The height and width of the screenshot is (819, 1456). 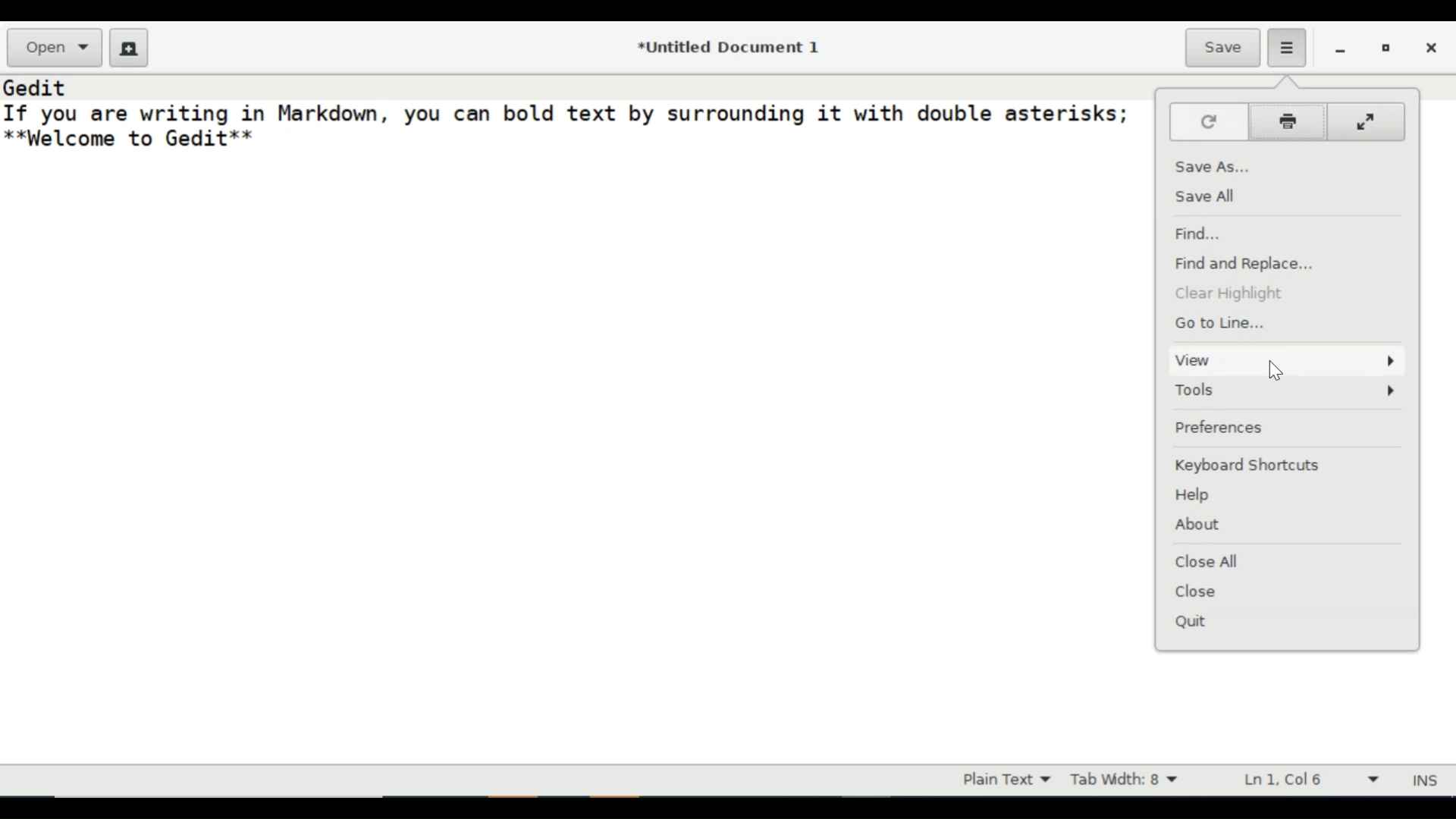 What do you see at coordinates (1204, 622) in the screenshot?
I see `Quit` at bounding box center [1204, 622].